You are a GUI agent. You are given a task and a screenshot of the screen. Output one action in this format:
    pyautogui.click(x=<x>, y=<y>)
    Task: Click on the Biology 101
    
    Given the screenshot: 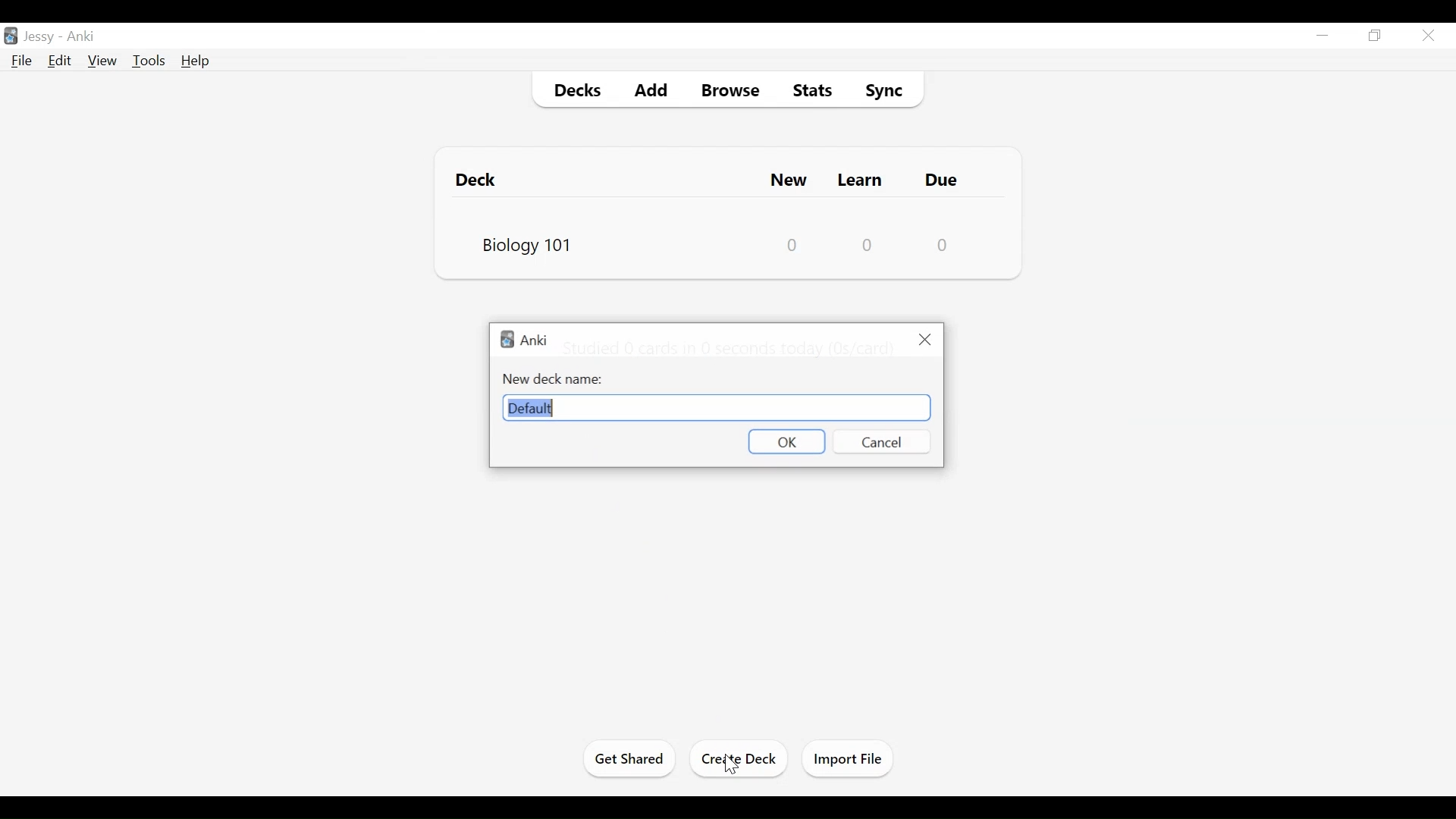 What is the action you would take?
    pyautogui.click(x=526, y=243)
    